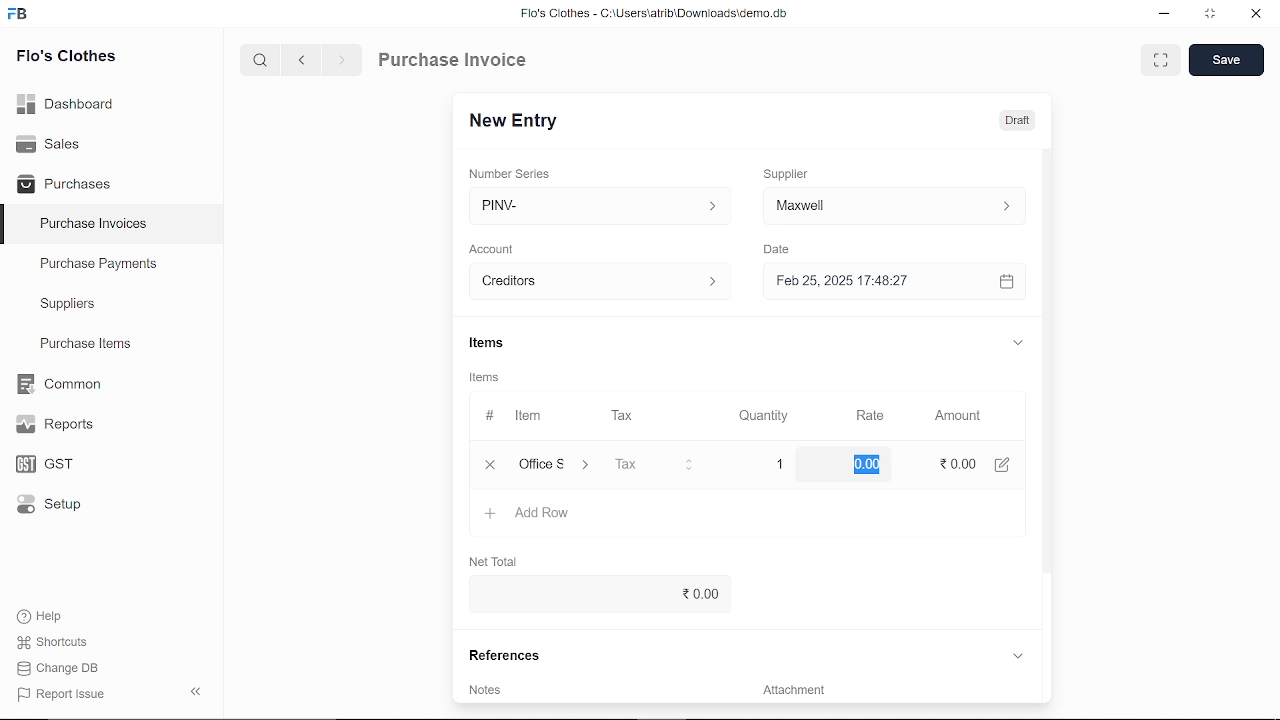 This screenshot has width=1280, height=720. I want to click on input Tax, so click(654, 464).